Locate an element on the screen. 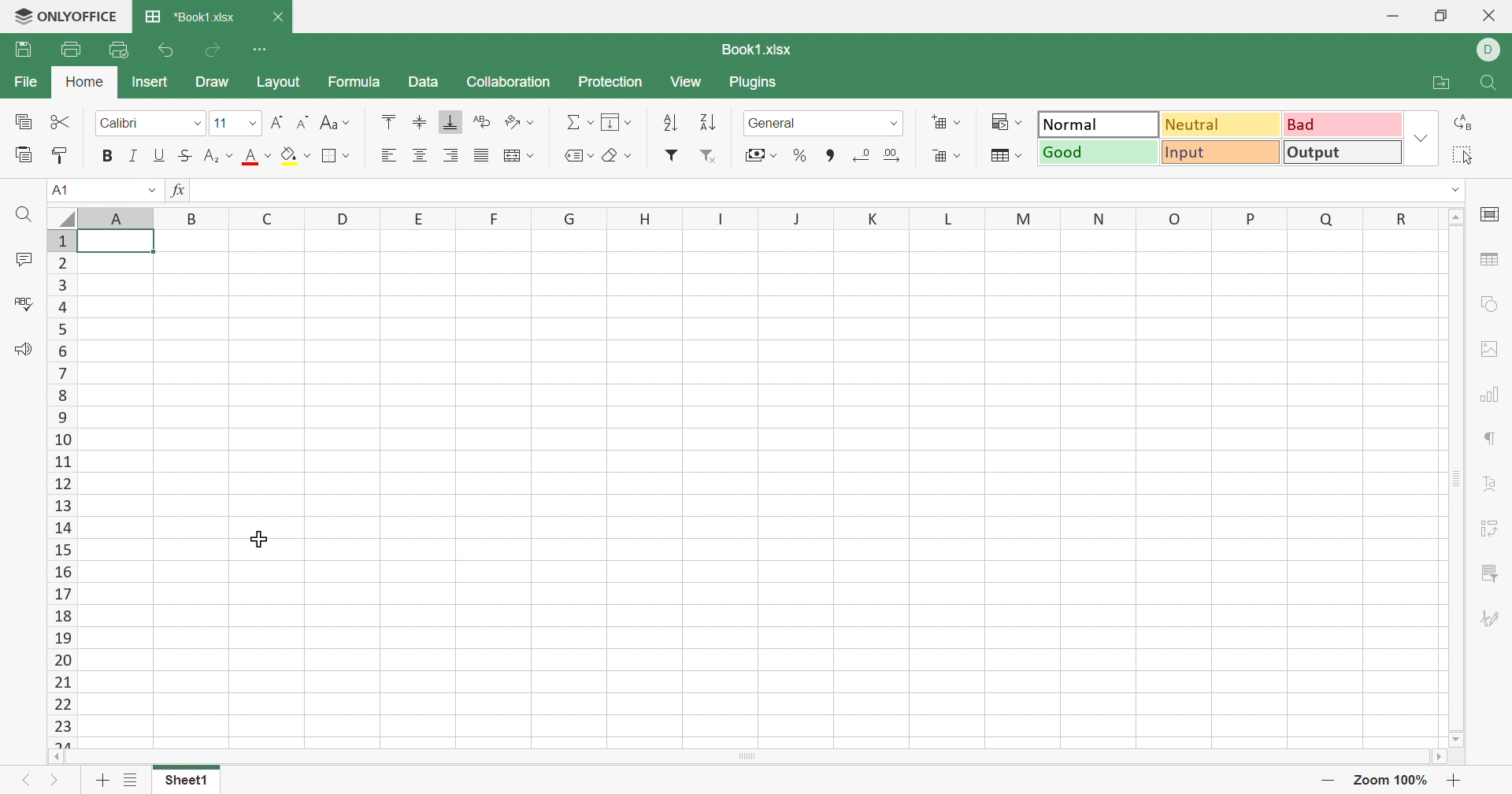 The width and height of the screenshot is (1512, 794). Drop Down is located at coordinates (349, 124).